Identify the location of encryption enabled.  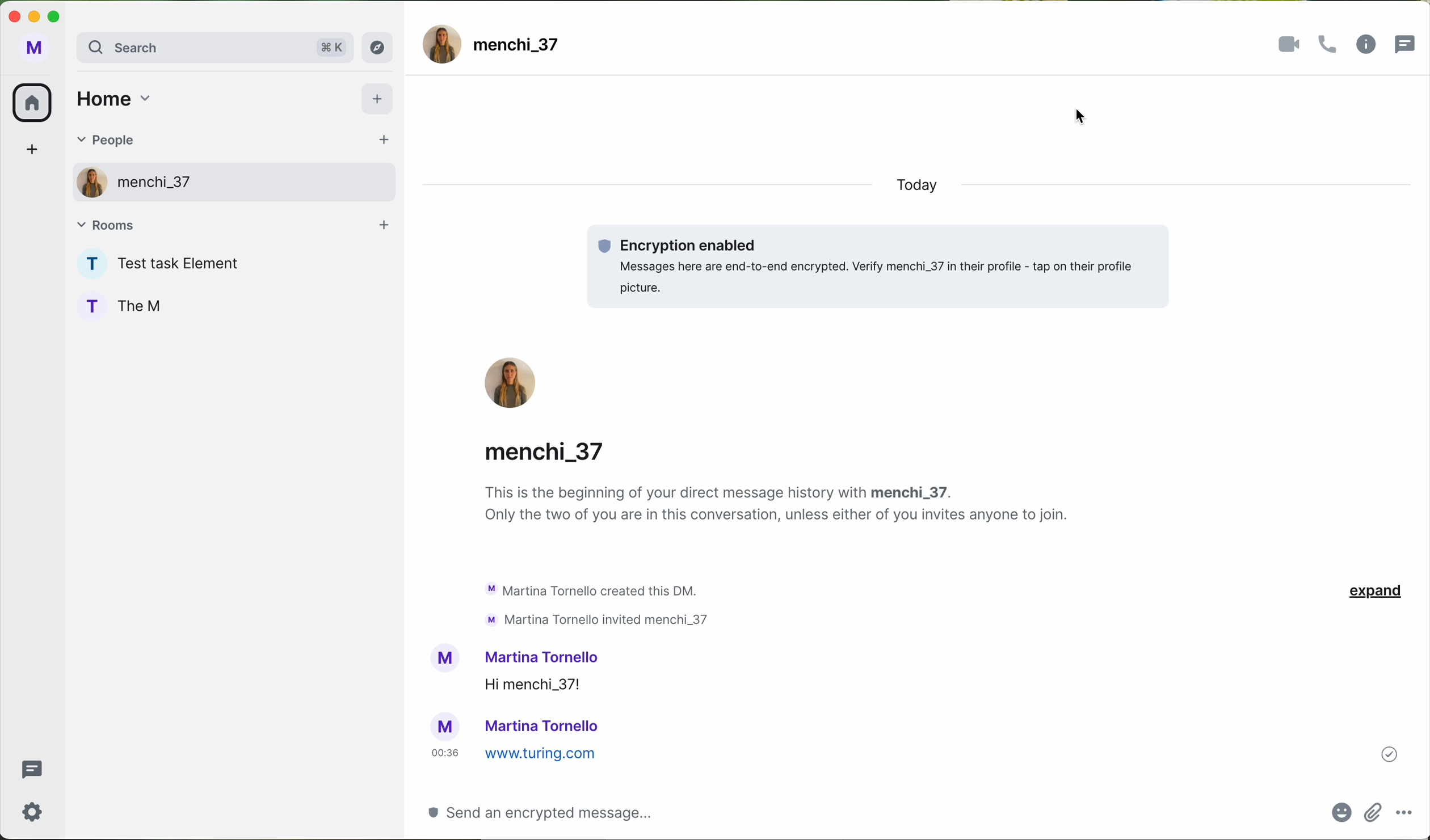
(878, 267).